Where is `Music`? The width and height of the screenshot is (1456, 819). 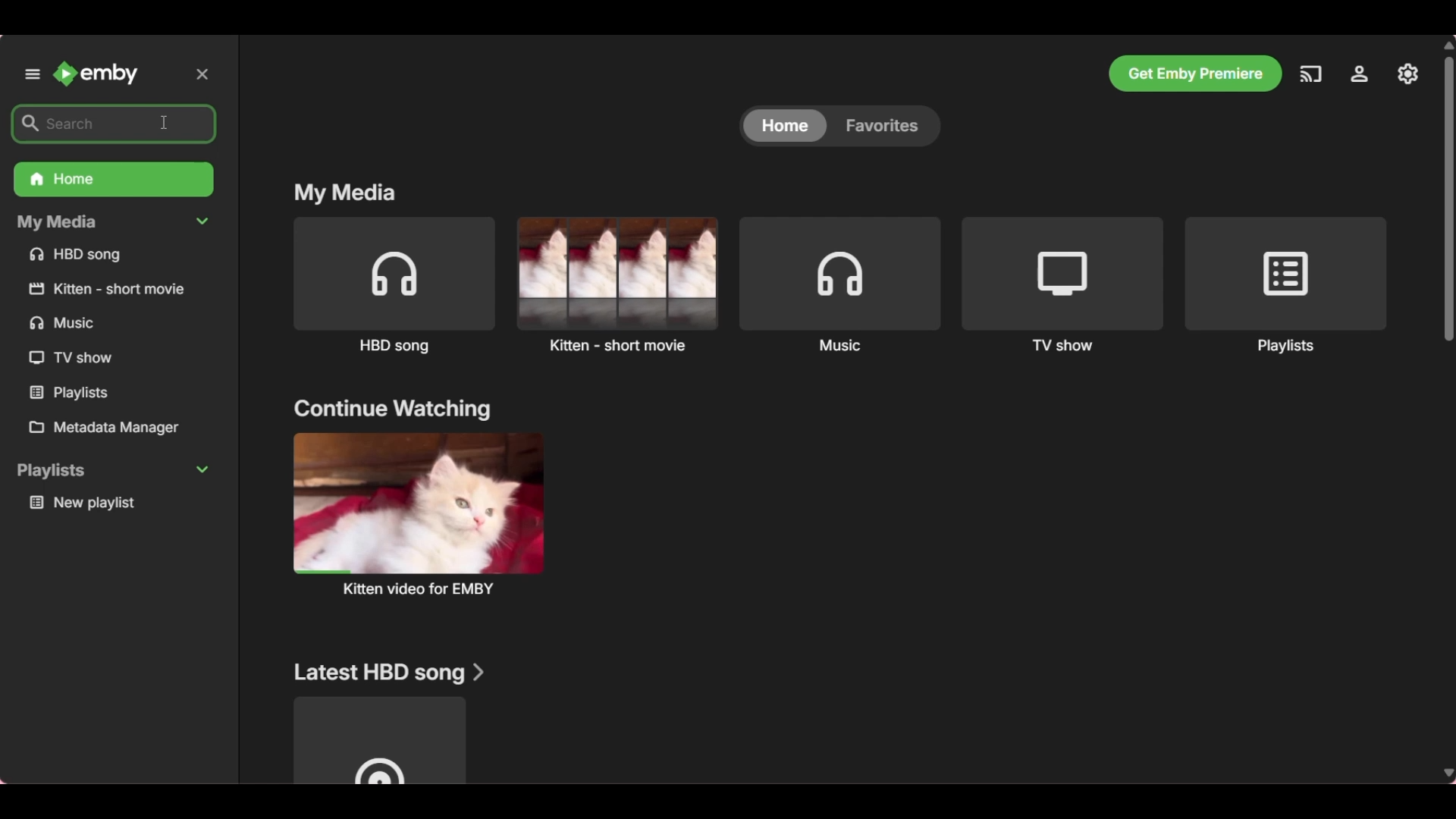
Music is located at coordinates (841, 284).